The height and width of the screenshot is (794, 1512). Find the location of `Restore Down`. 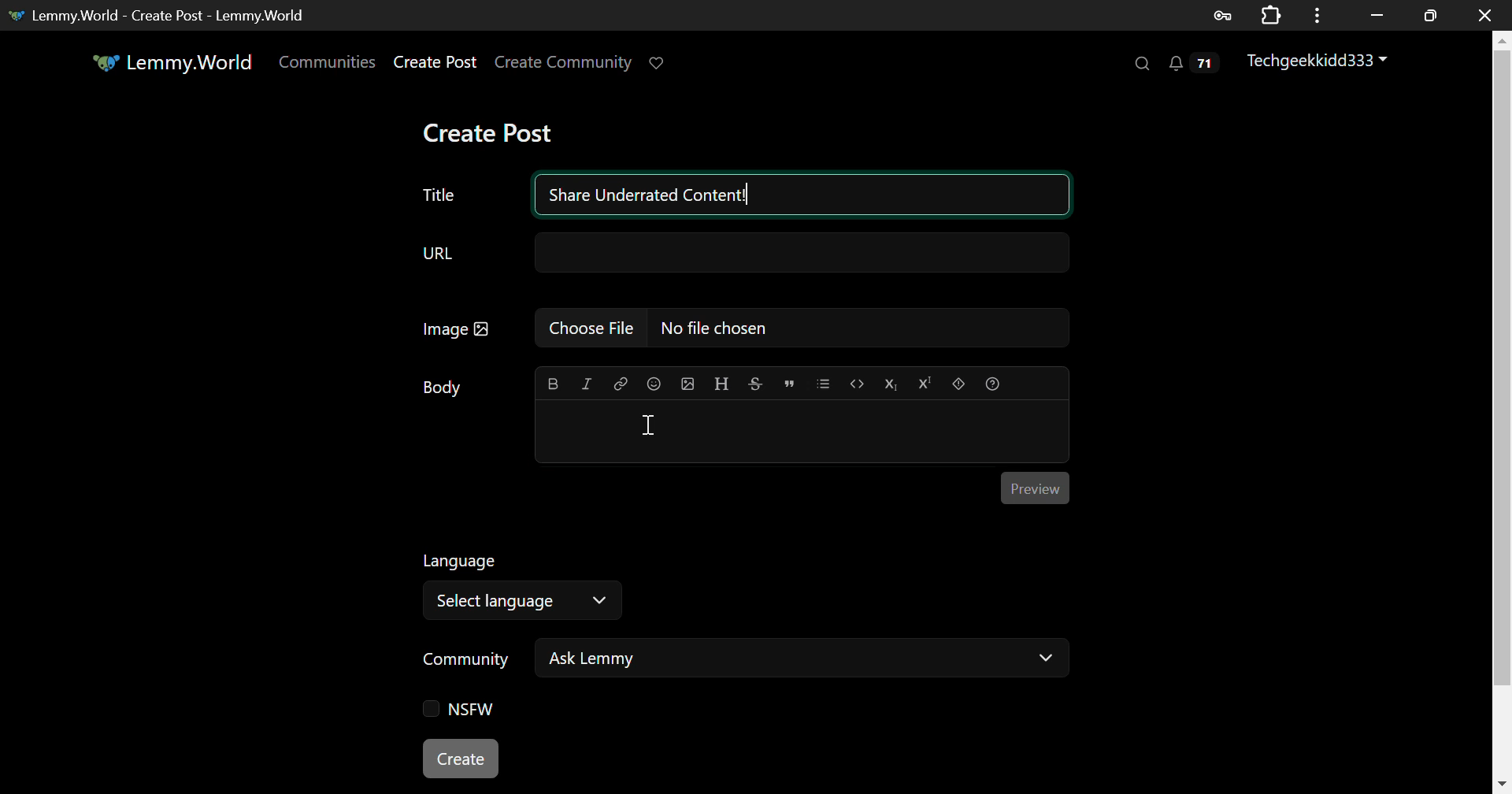

Restore Down is located at coordinates (1378, 15).